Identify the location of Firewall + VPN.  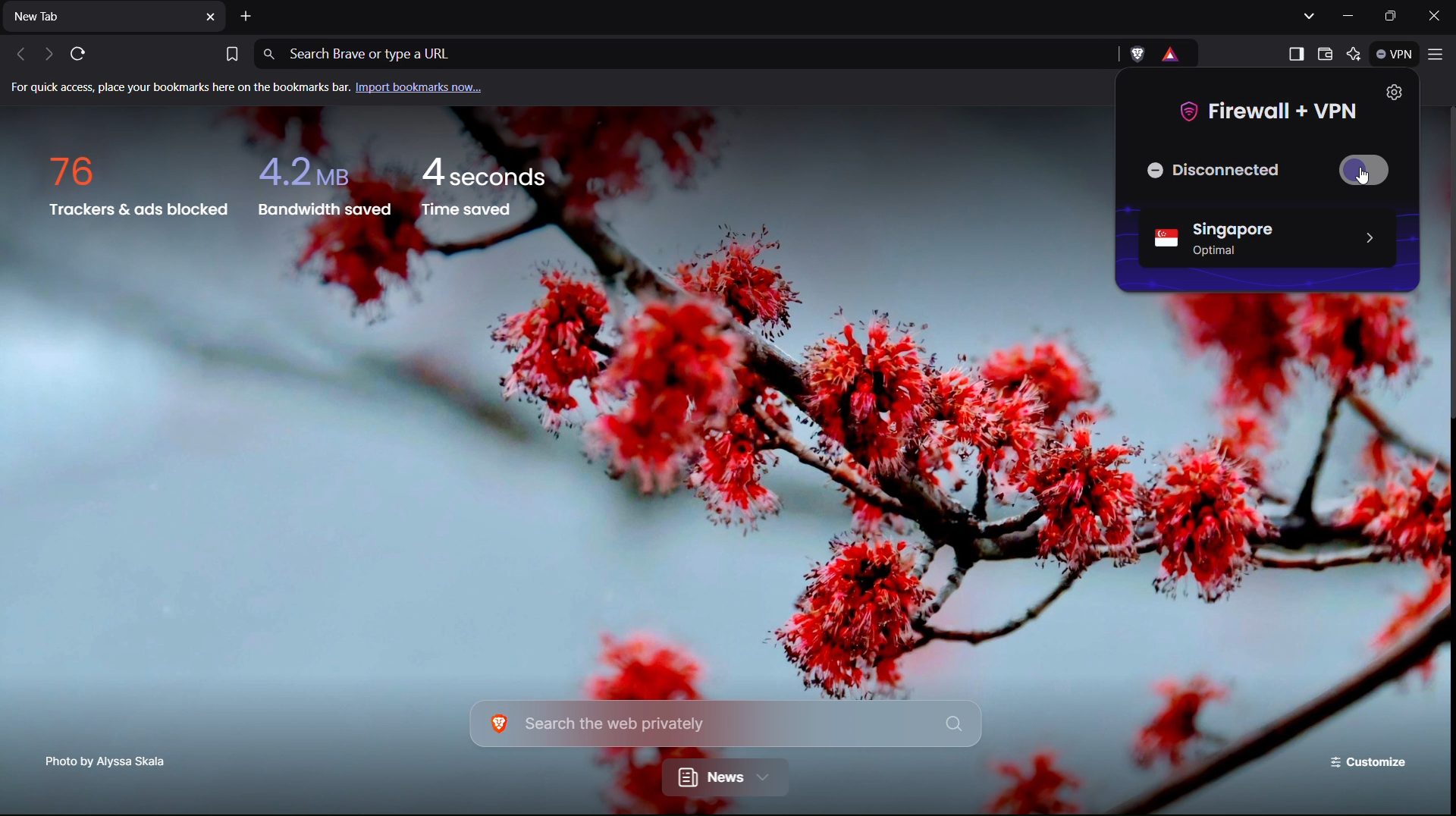
(1268, 109).